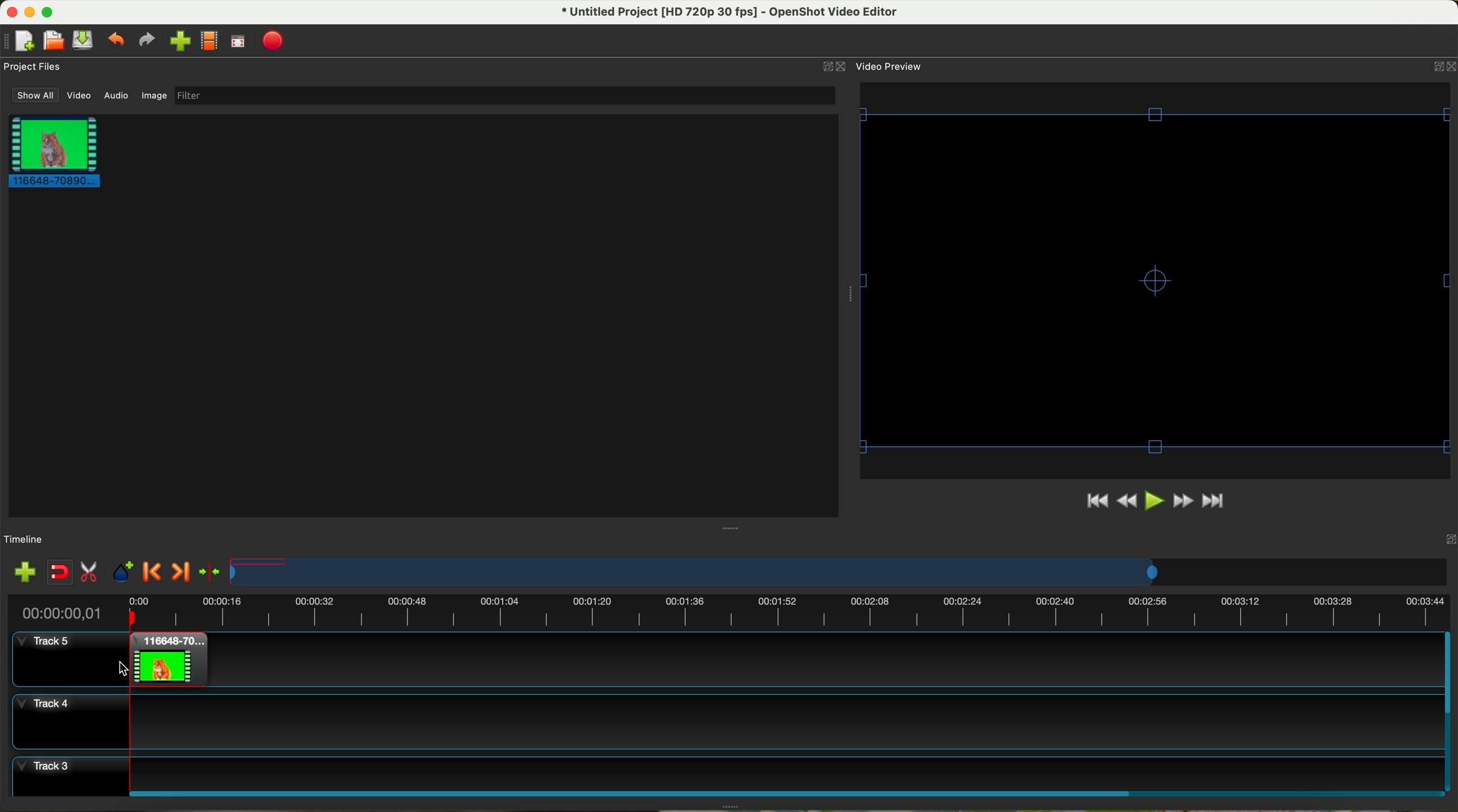 The image size is (1458, 812). Describe the element at coordinates (115, 38) in the screenshot. I see `undo` at that location.